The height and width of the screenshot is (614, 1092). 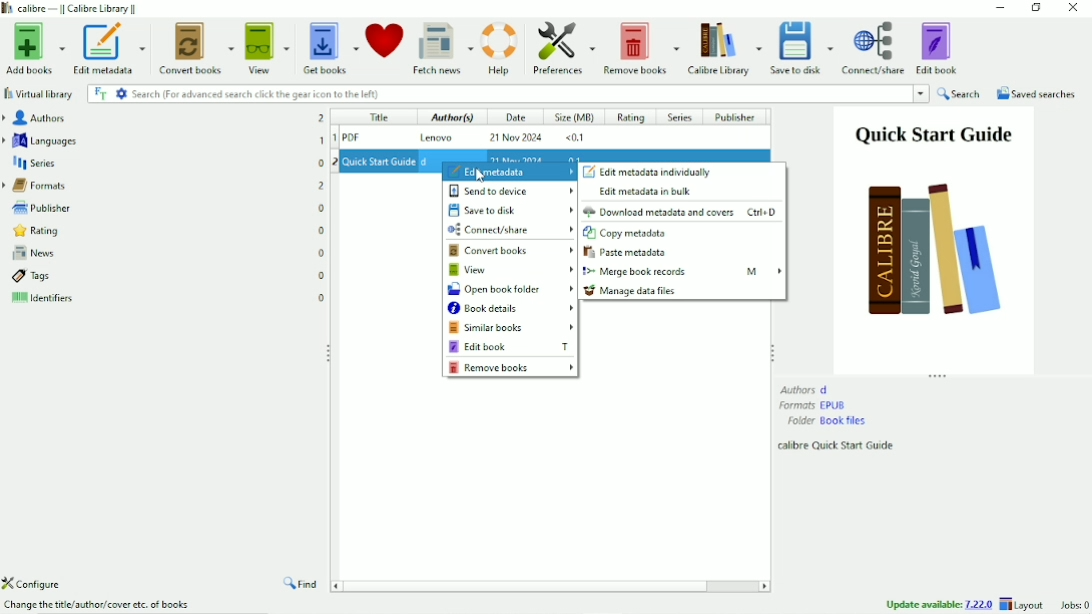 I want to click on cursor, so click(x=478, y=175).